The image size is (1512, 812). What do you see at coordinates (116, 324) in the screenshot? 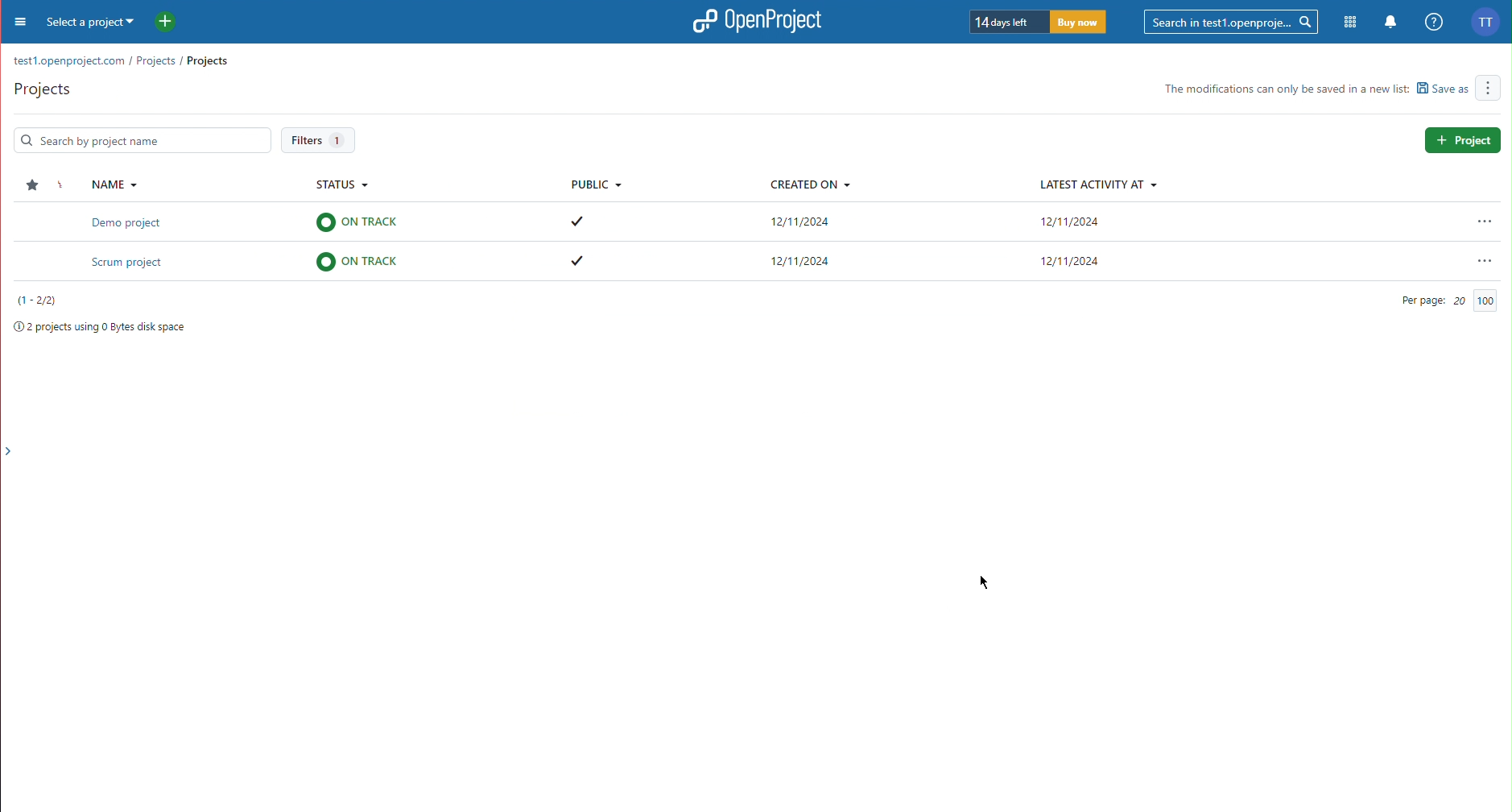
I see `Project space` at bounding box center [116, 324].